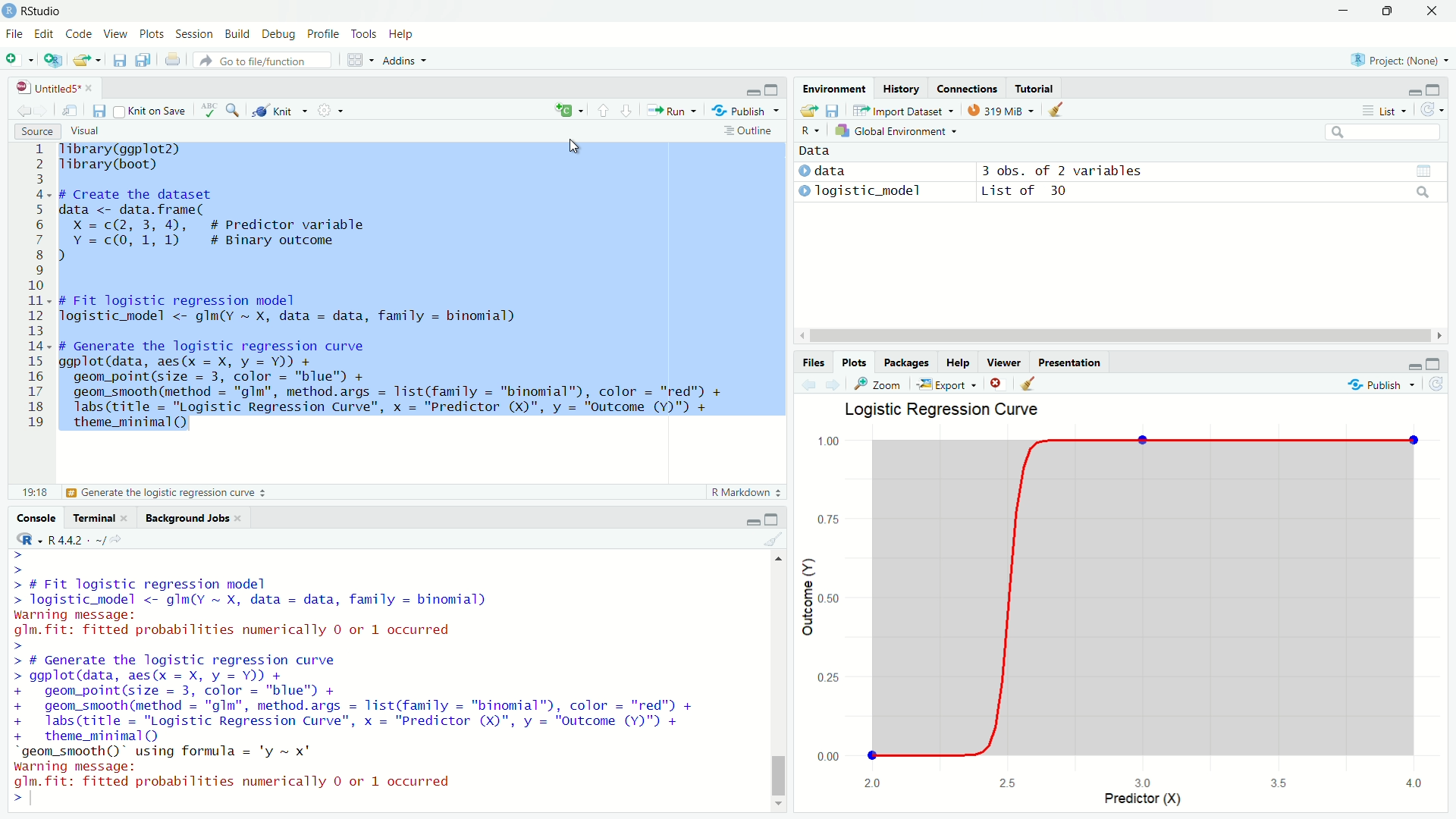  What do you see at coordinates (1382, 110) in the screenshot?
I see `List` at bounding box center [1382, 110].